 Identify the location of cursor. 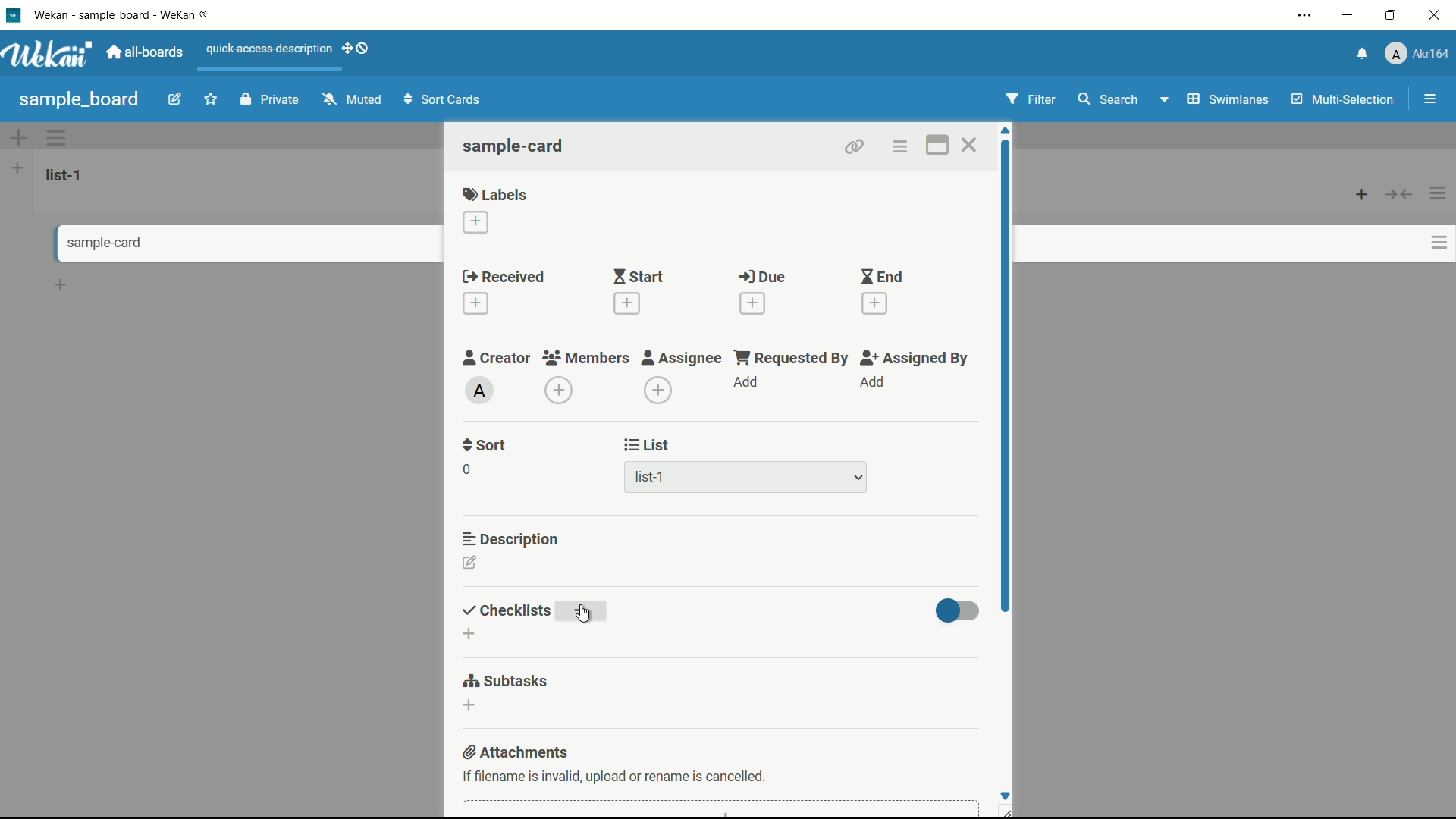
(588, 615).